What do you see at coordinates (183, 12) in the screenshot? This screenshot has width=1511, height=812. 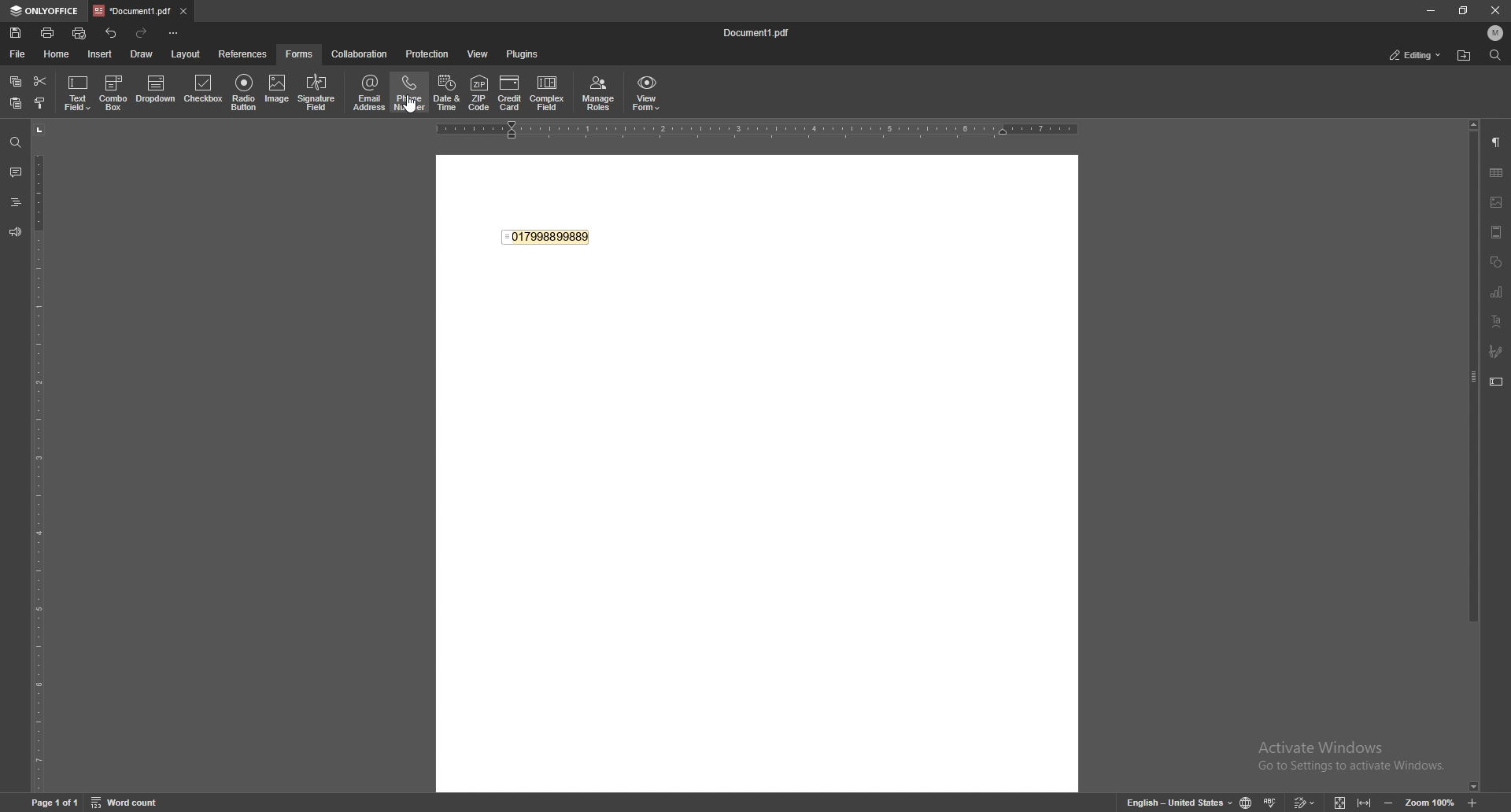 I see `close` at bounding box center [183, 12].